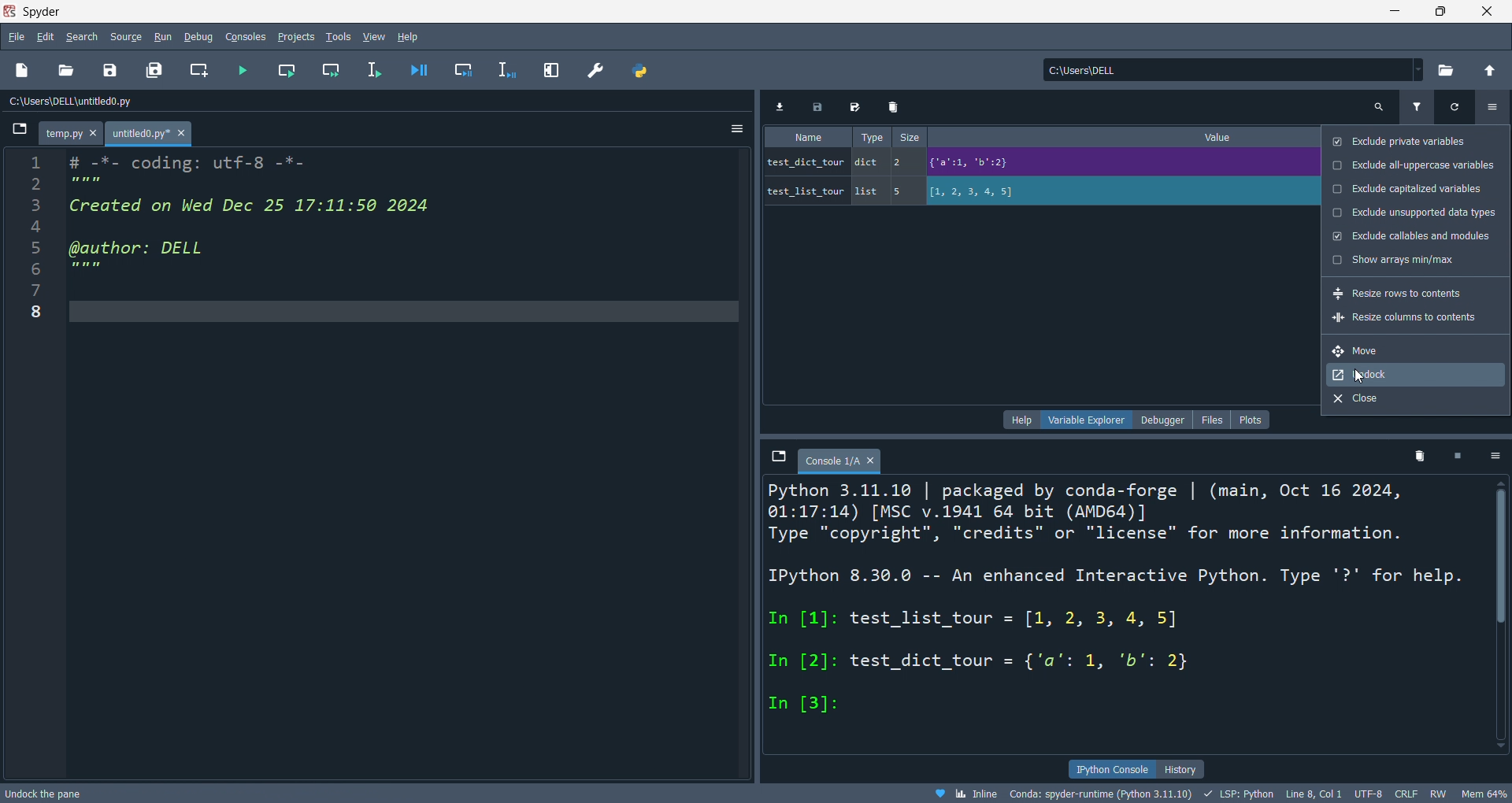 The image size is (1512, 803). What do you see at coordinates (16, 131) in the screenshot?
I see `browse tabs` at bounding box center [16, 131].